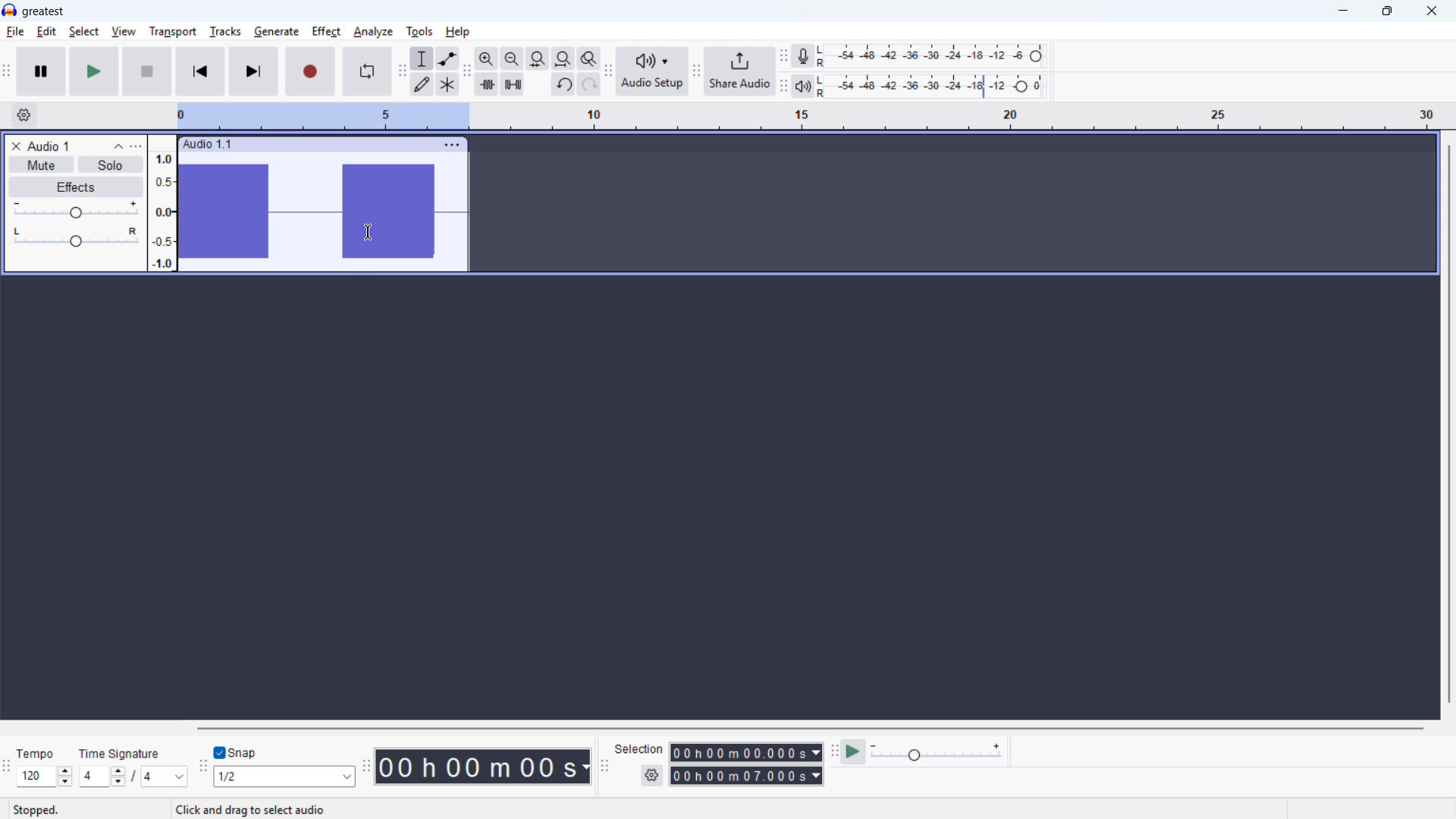 This screenshot has width=1456, height=819. Describe the element at coordinates (323, 211) in the screenshot. I see `Track wave form ` at that location.